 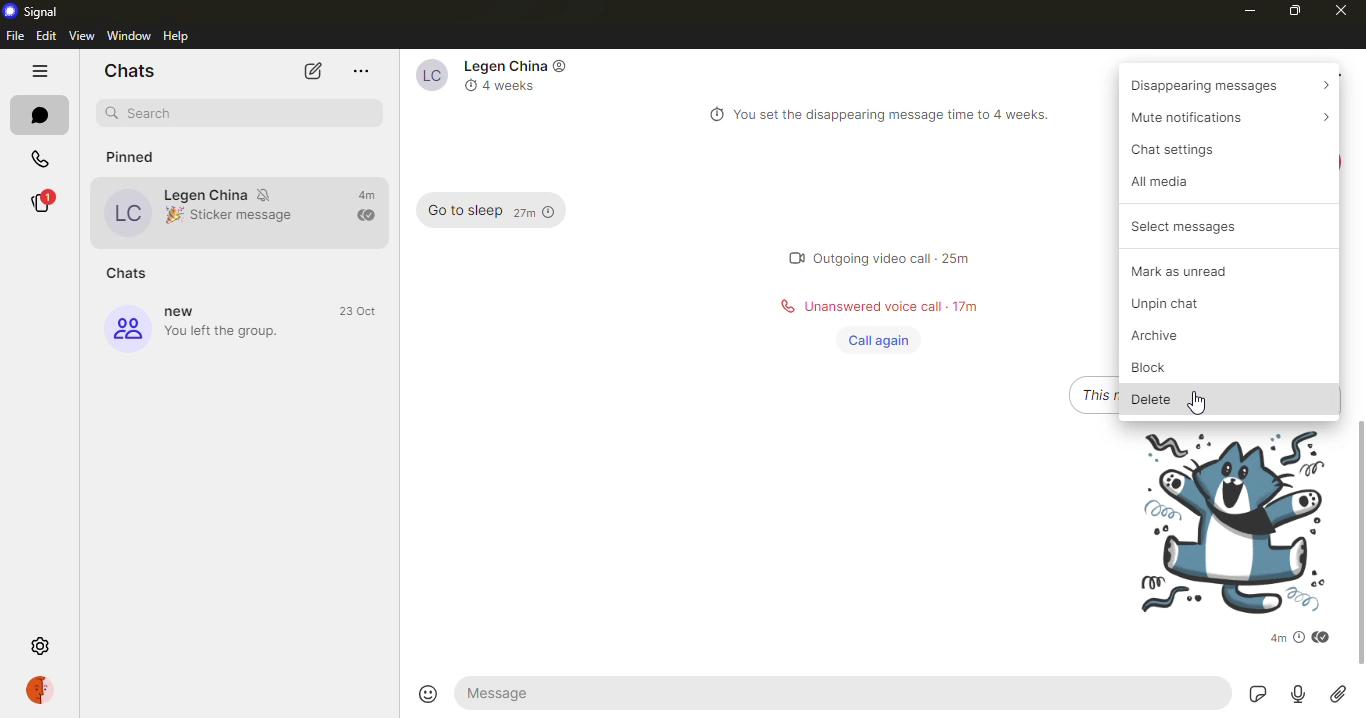 What do you see at coordinates (1230, 85) in the screenshot?
I see `disappearing messages` at bounding box center [1230, 85].